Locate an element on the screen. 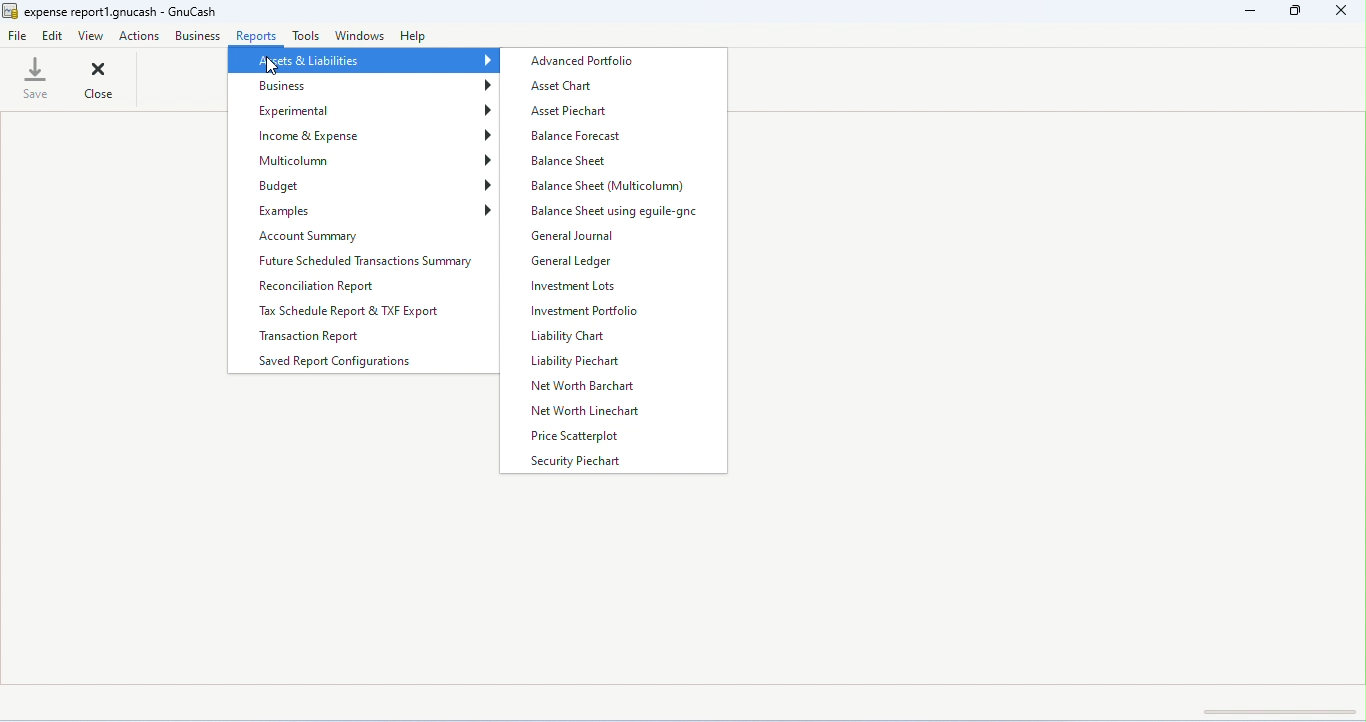 This screenshot has height=722, width=1366. expense report1.gnucash-gnucash is located at coordinates (112, 12).